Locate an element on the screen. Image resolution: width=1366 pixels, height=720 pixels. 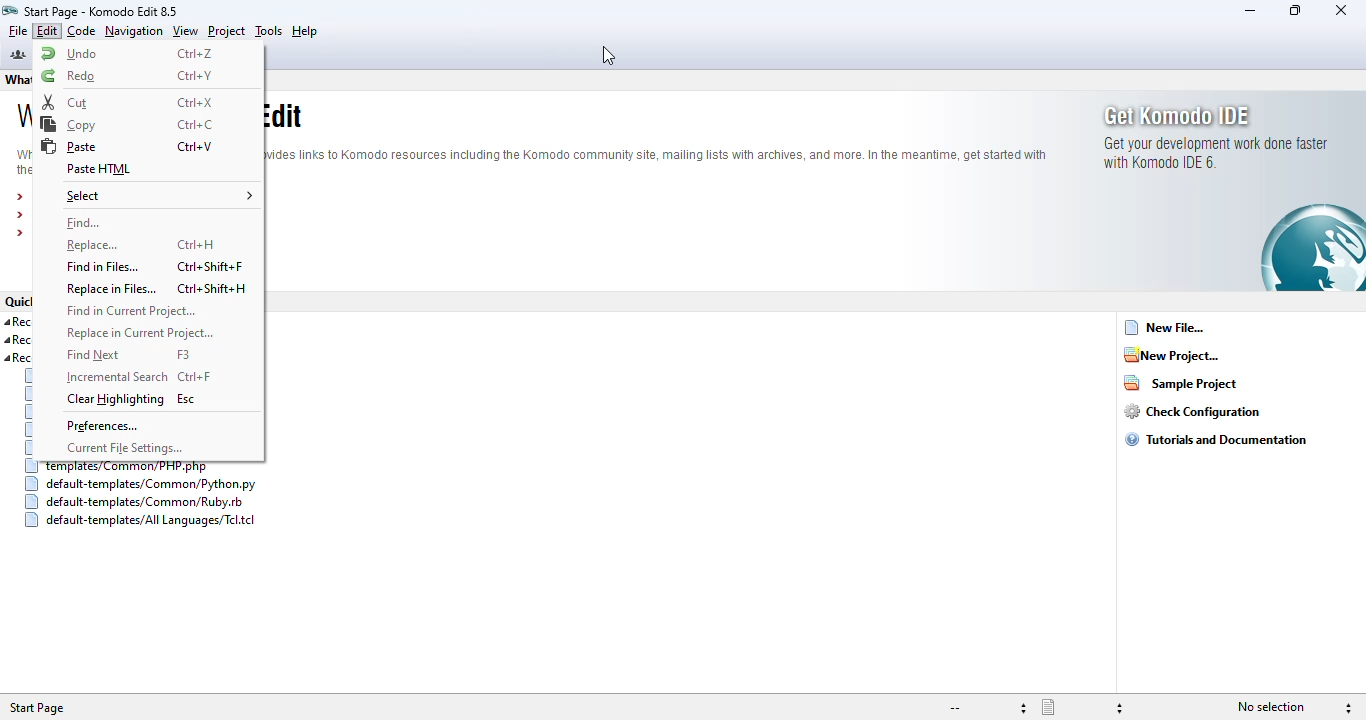
Start Page is located at coordinates (36, 707).